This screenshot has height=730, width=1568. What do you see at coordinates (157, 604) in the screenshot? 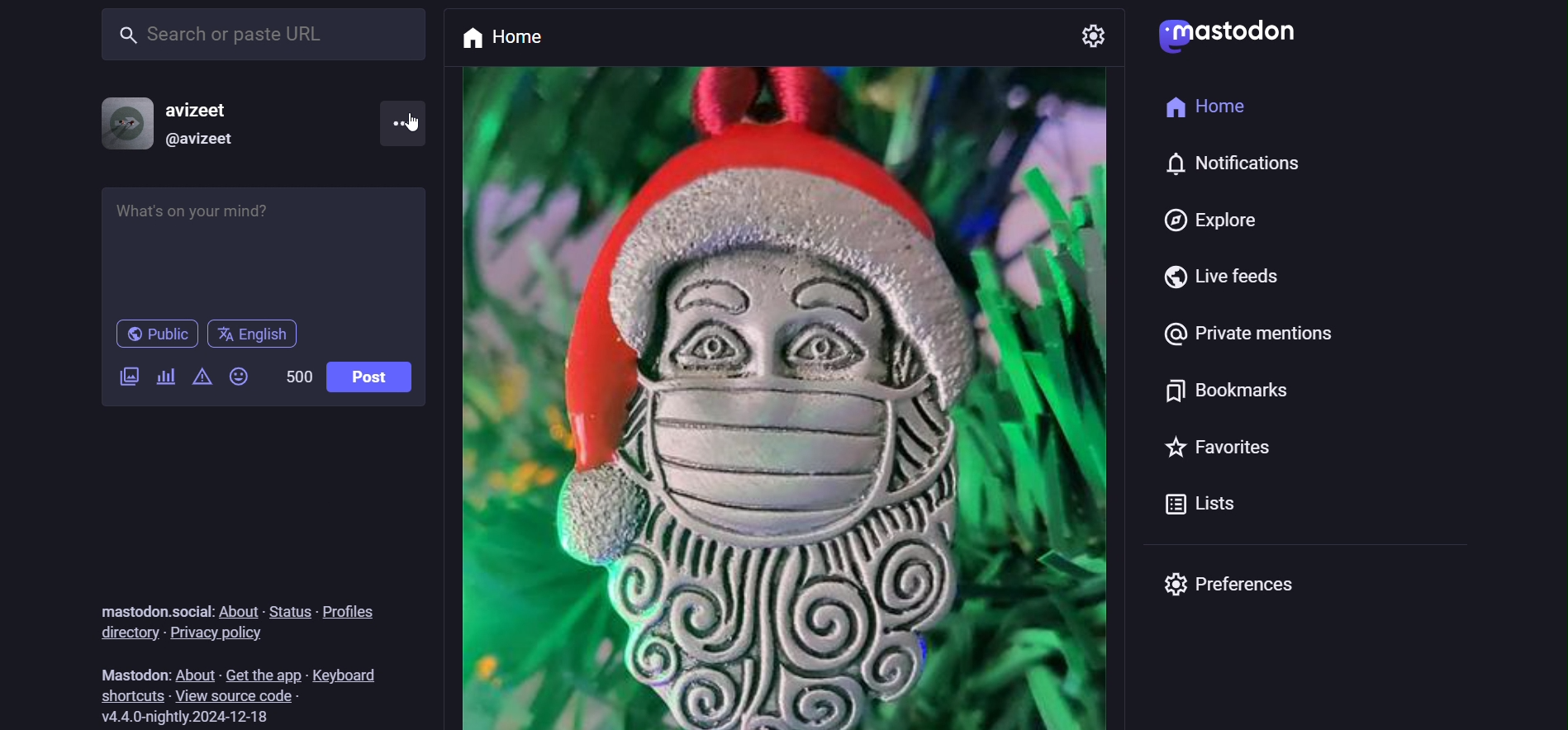
I see `mastodon.social` at bounding box center [157, 604].